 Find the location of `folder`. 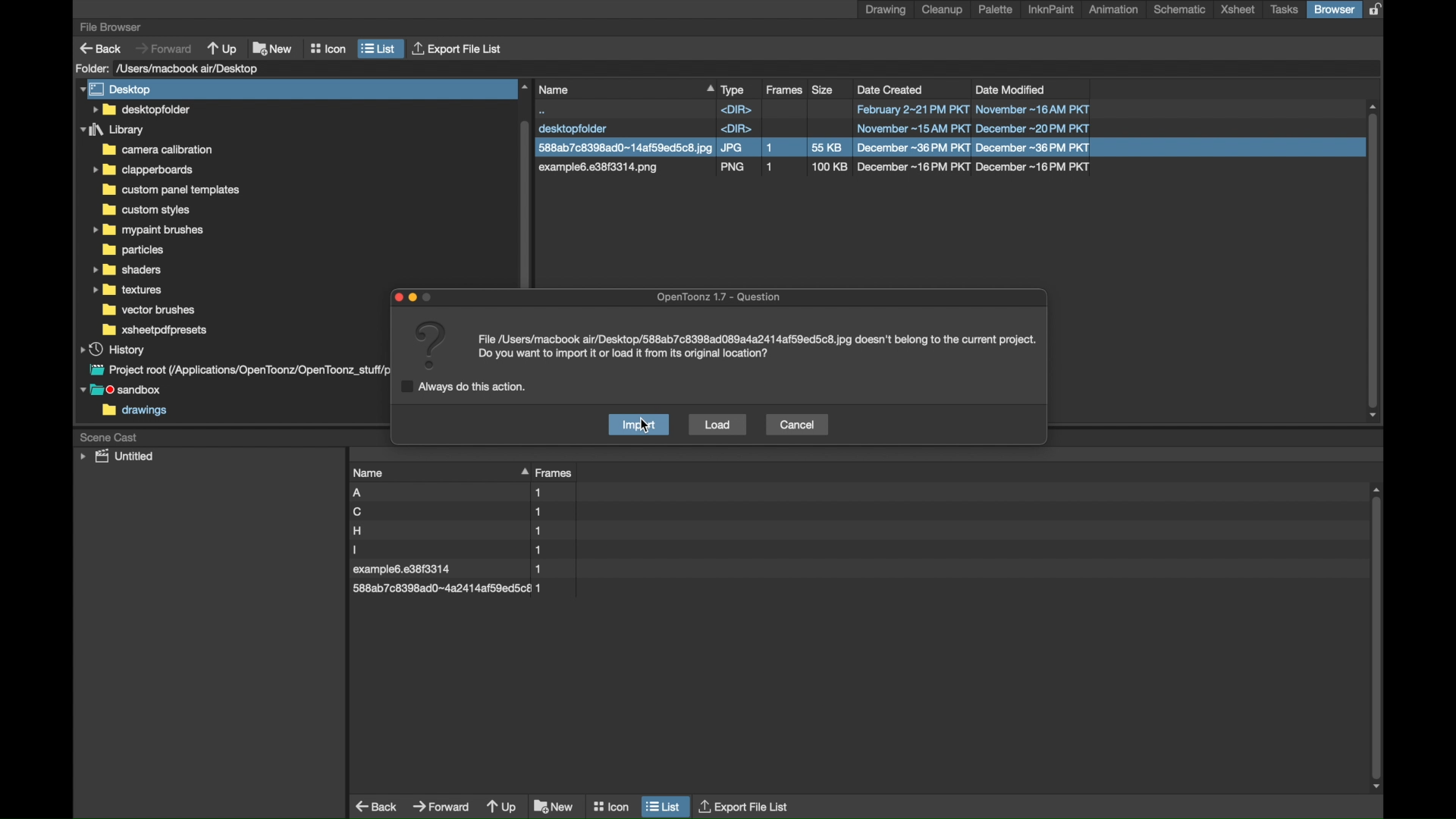

folder is located at coordinates (174, 190).